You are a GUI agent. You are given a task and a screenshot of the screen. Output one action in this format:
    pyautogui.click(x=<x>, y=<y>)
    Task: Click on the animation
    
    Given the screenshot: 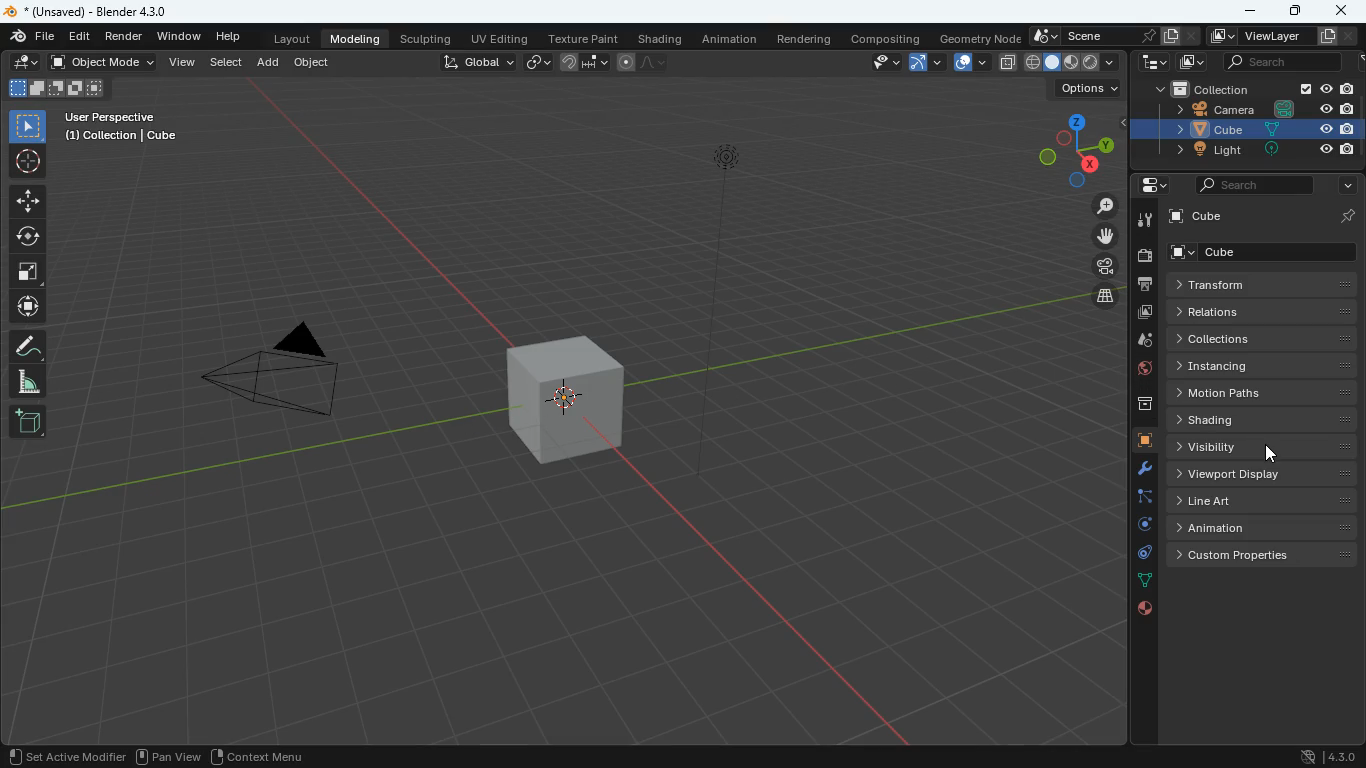 What is the action you would take?
    pyautogui.click(x=733, y=39)
    